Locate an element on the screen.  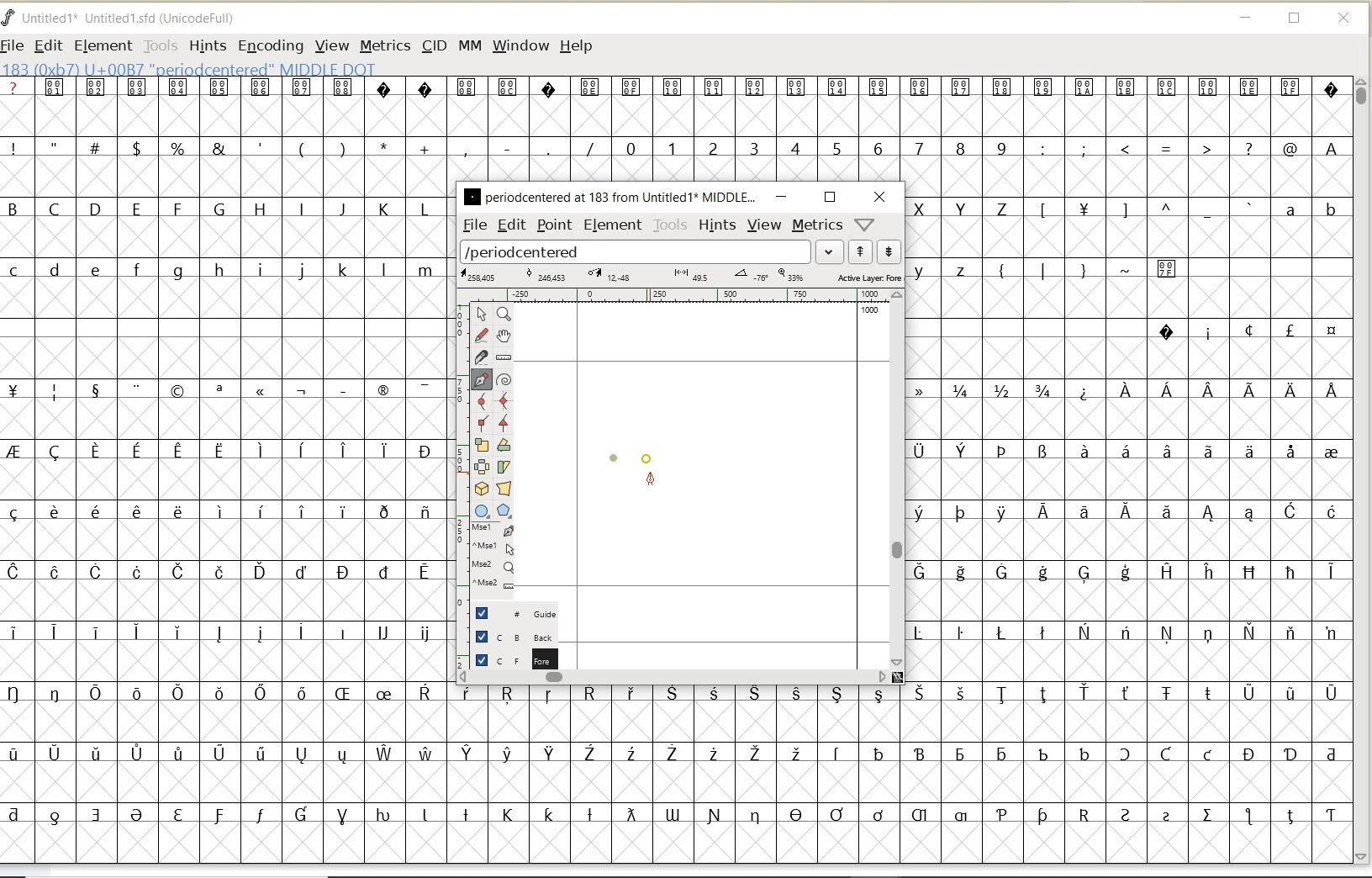
Add a corner point is located at coordinates (504, 421).